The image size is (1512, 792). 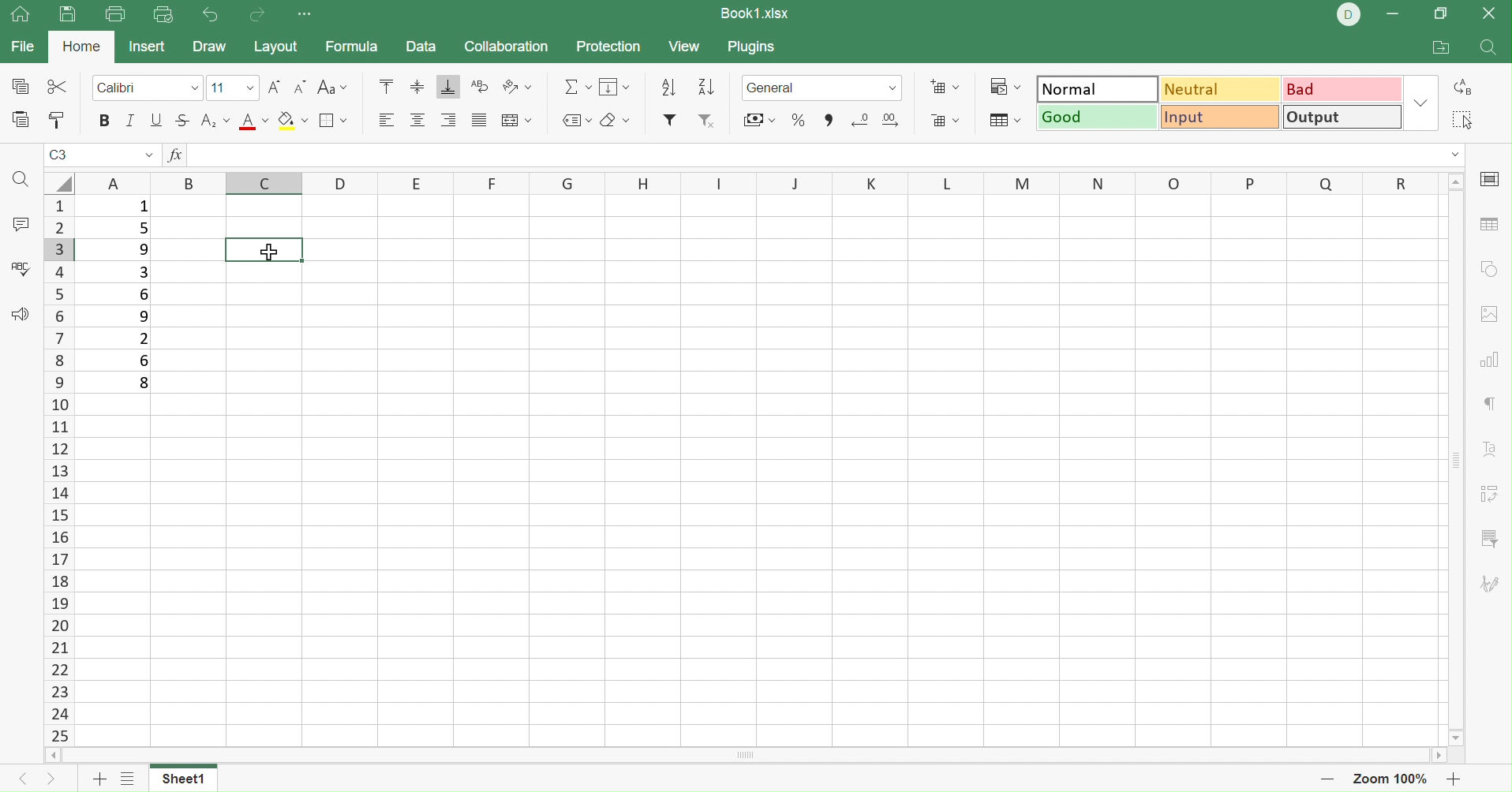 I want to click on Find, so click(x=1489, y=49).